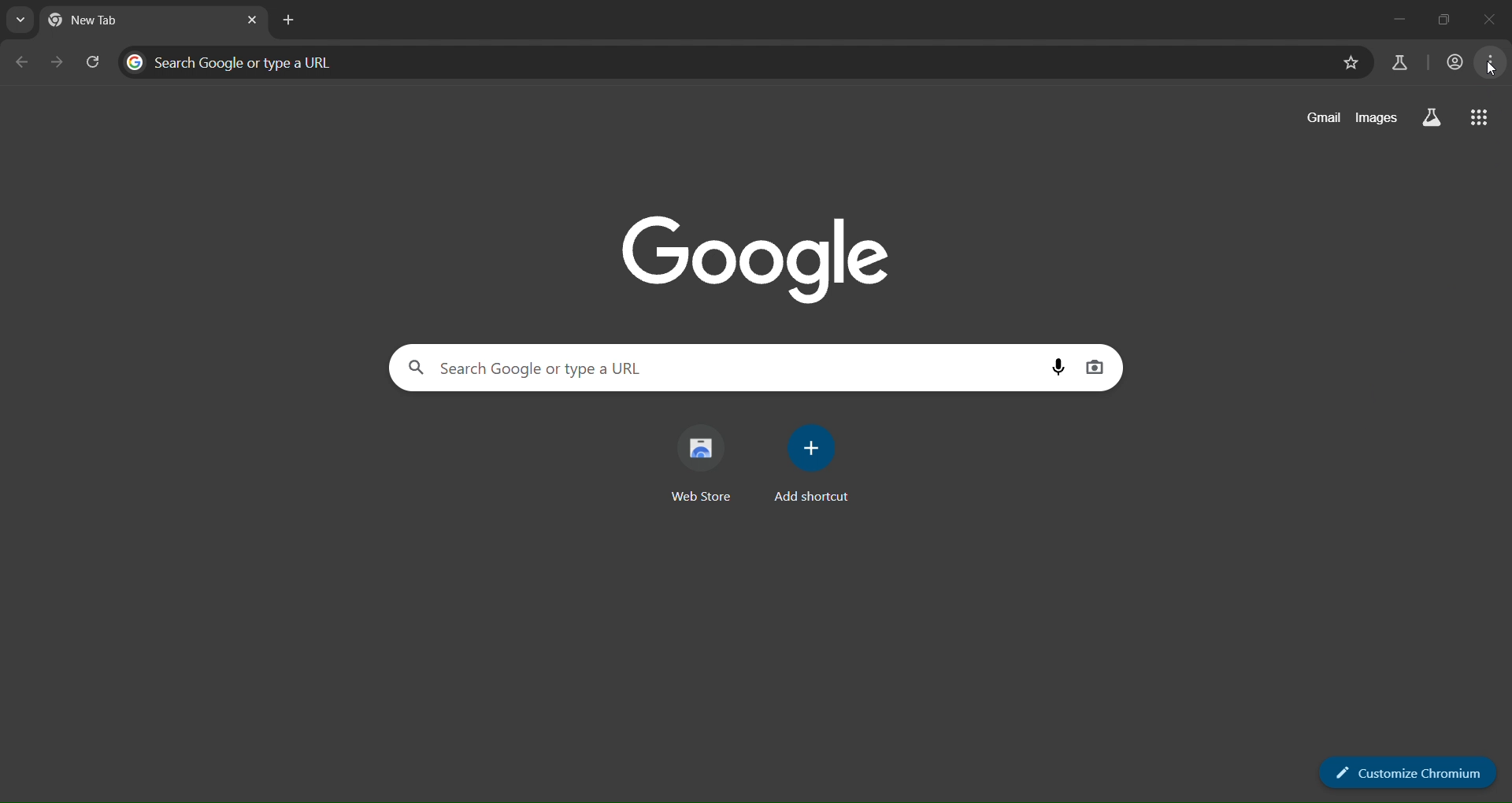 This screenshot has width=1512, height=803. I want to click on gmail , so click(1321, 120).